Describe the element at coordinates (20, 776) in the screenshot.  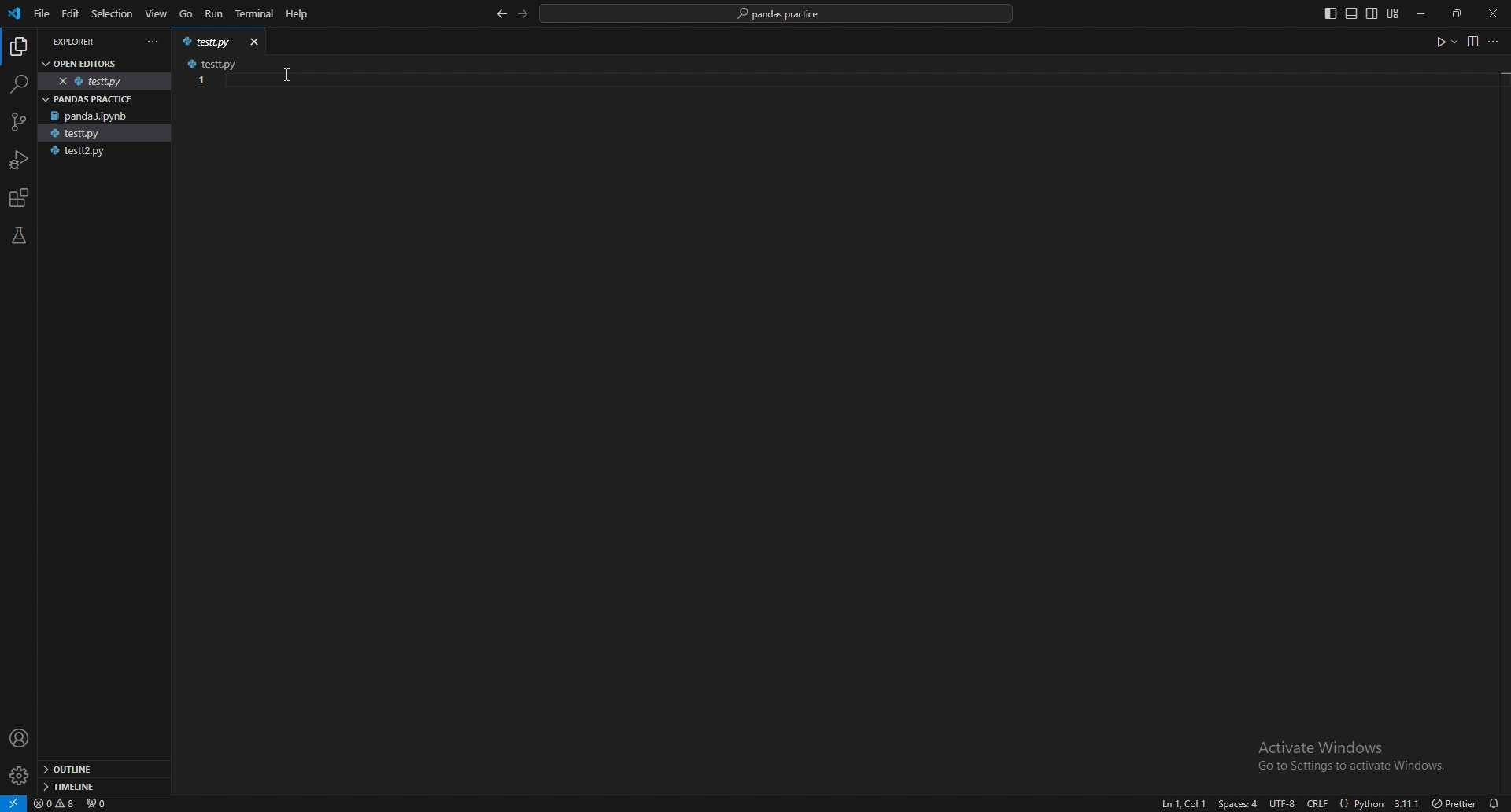
I see `settings` at that location.